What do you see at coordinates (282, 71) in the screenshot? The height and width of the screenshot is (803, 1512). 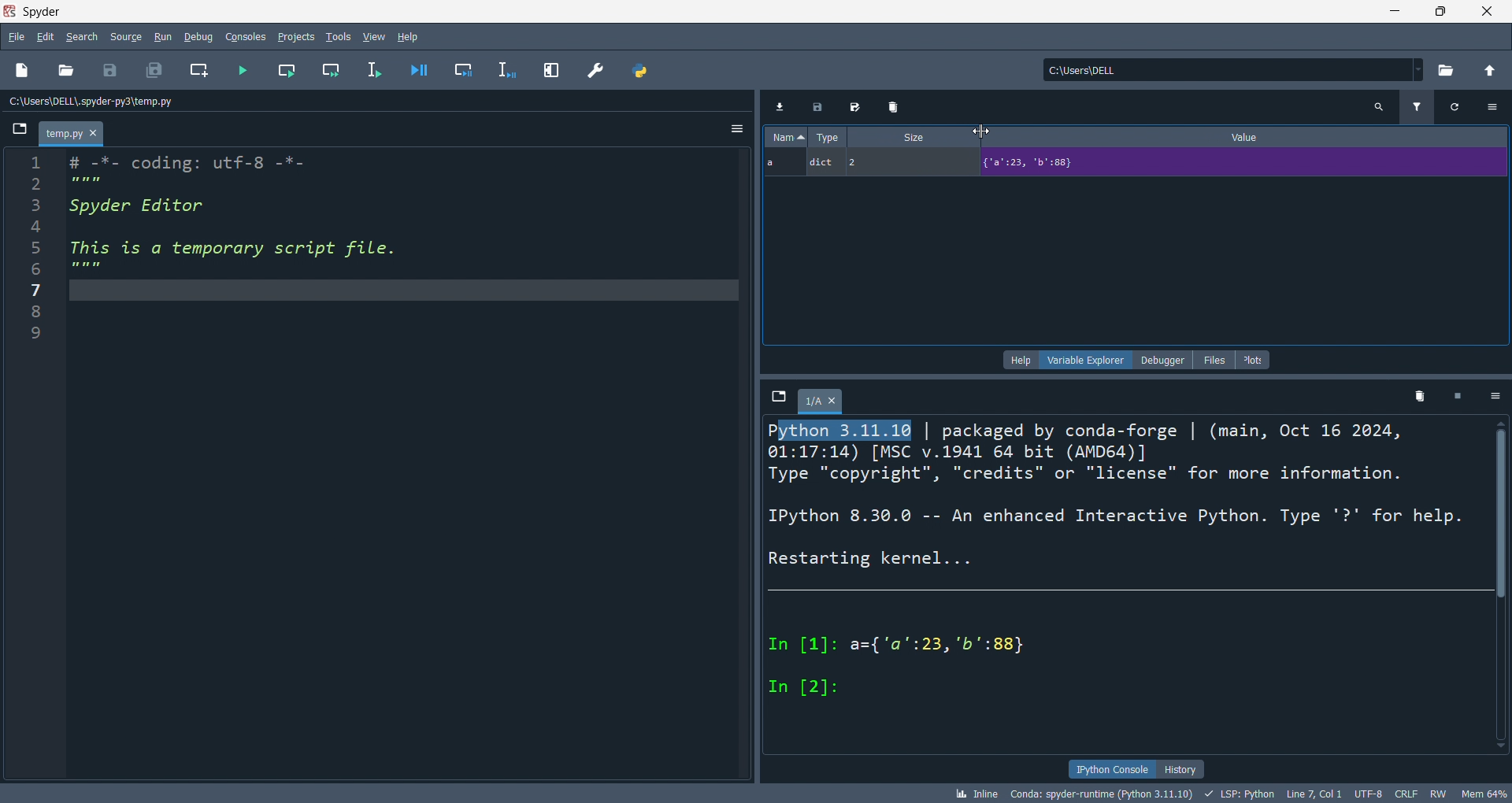 I see `run cell` at bounding box center [282, 71].